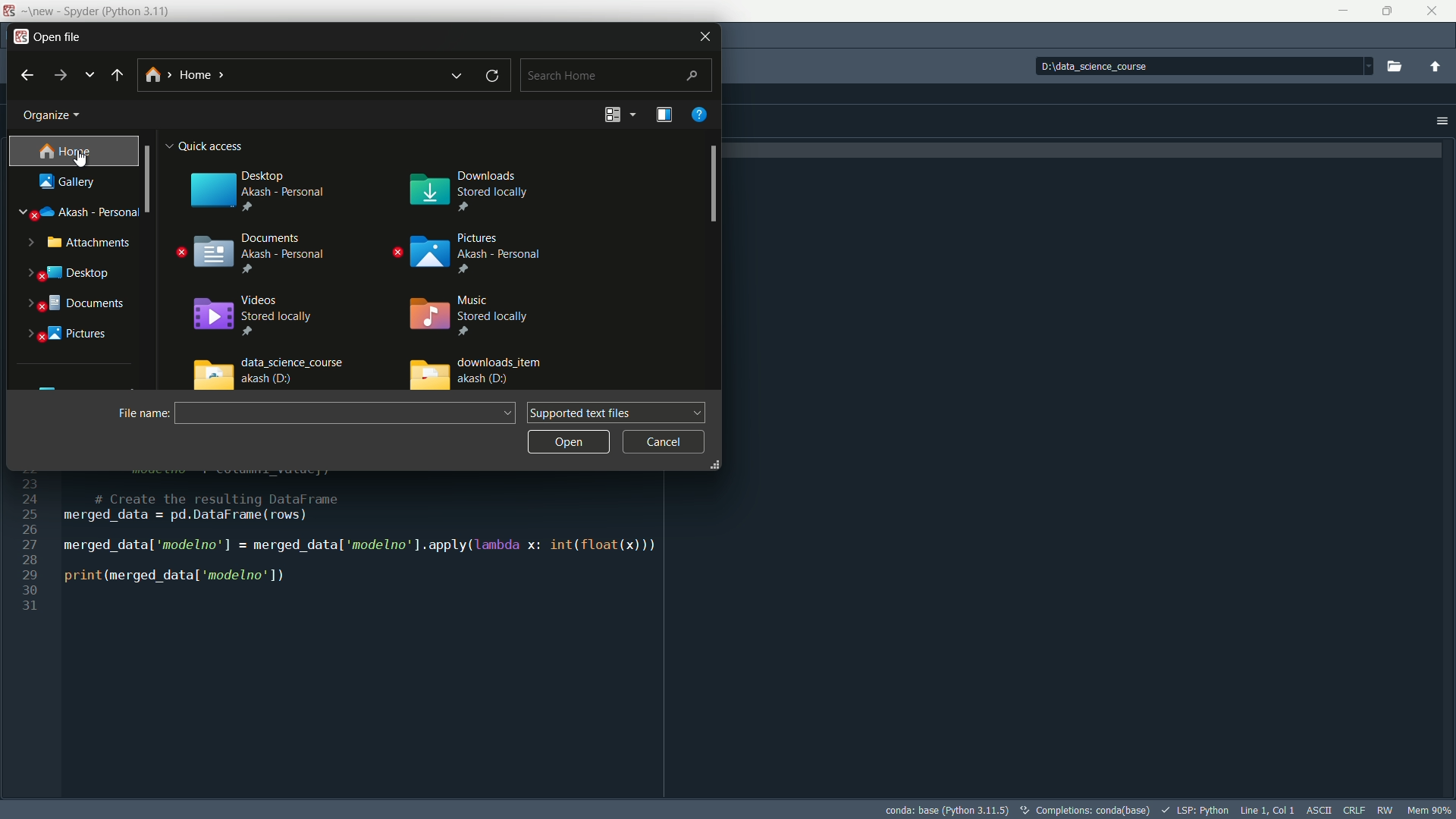  Describe the element at coordinates (566, 441) in the screenshot. I see `open` at that location.